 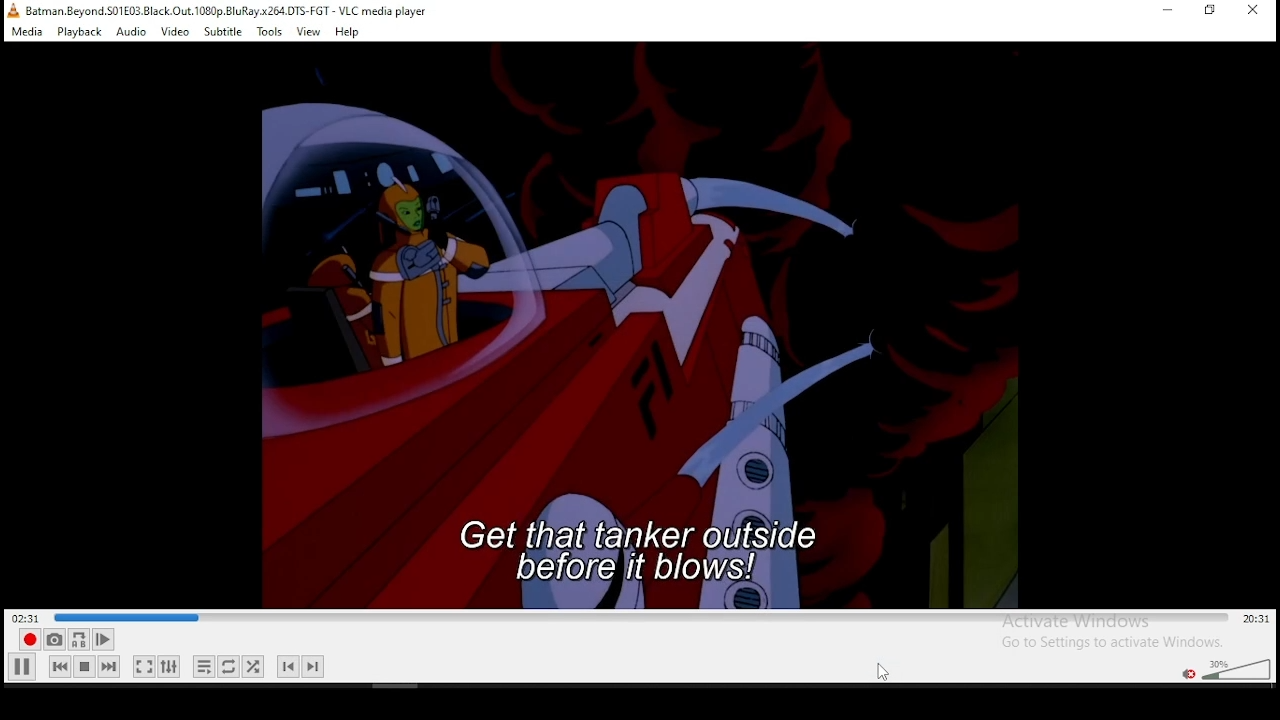 What do you see at coordinates (103, 639) in the screenshot?
I see `frame by frame` at bounding box center [103, 639].